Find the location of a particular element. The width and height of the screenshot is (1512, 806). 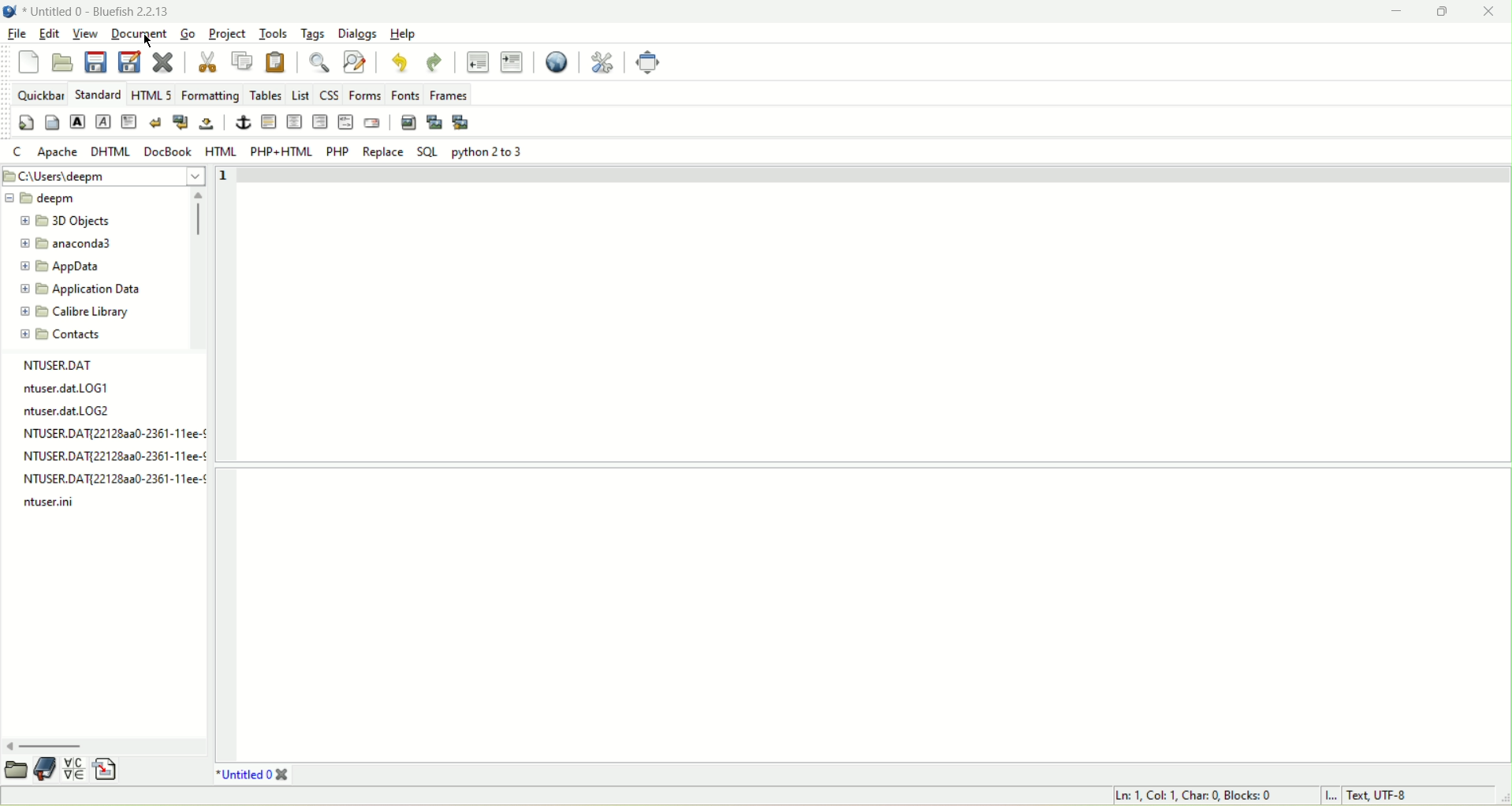

horizontal rule is located at coordinates (270, 121).